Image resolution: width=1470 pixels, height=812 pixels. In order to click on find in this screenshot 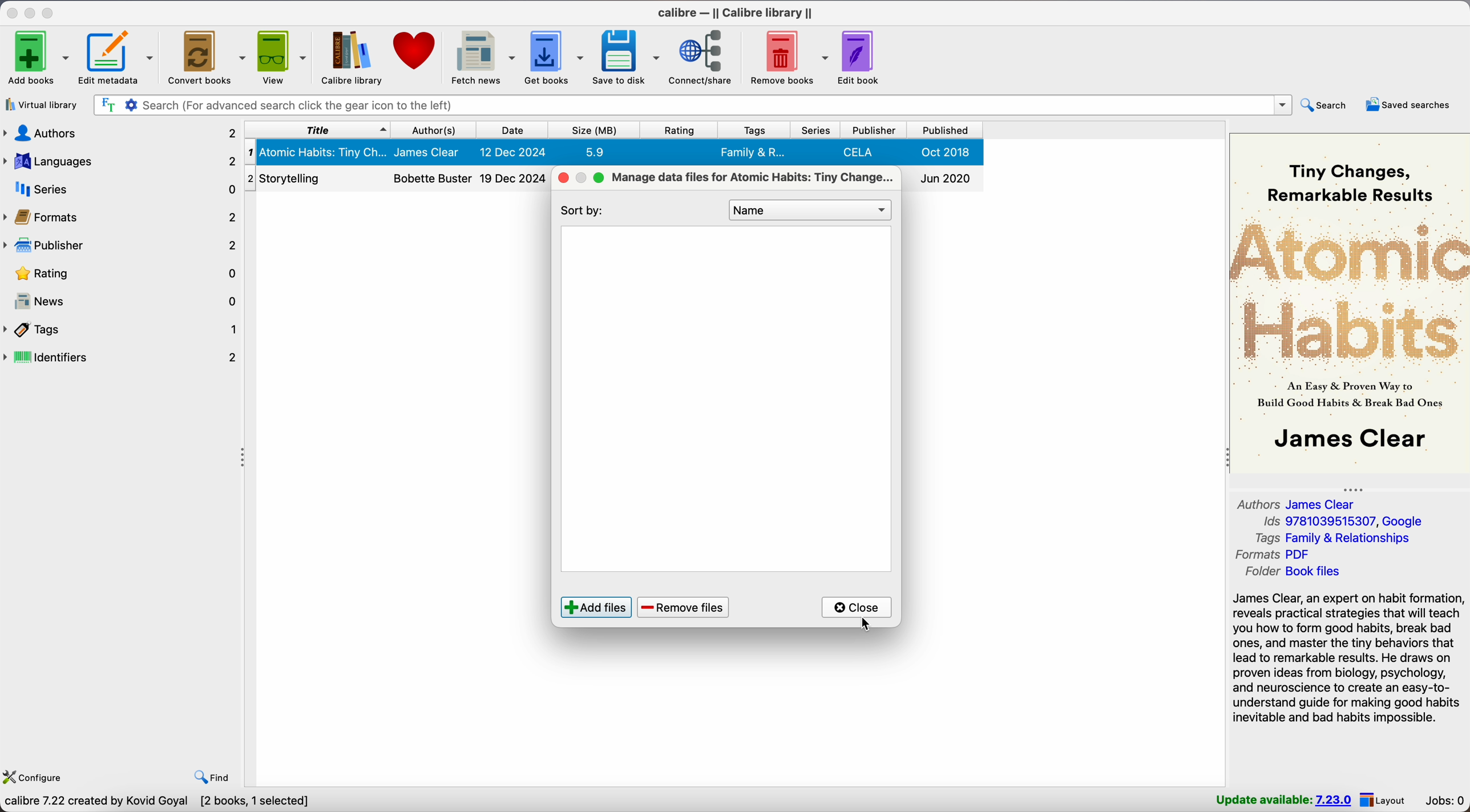, I will do `click(208, 775)`.